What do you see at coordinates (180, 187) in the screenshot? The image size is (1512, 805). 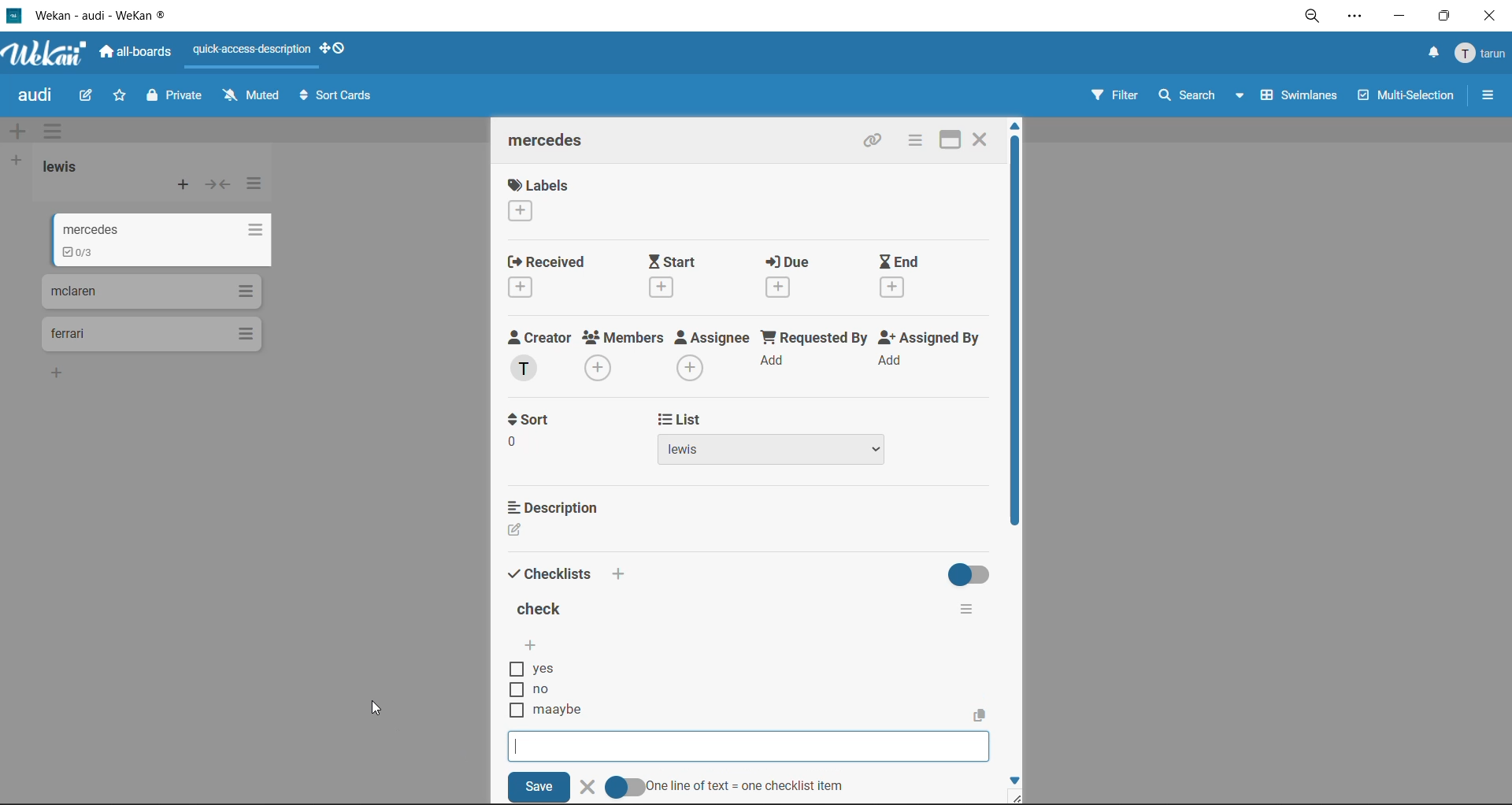 I see `add card` at bounding box center [180, 187].